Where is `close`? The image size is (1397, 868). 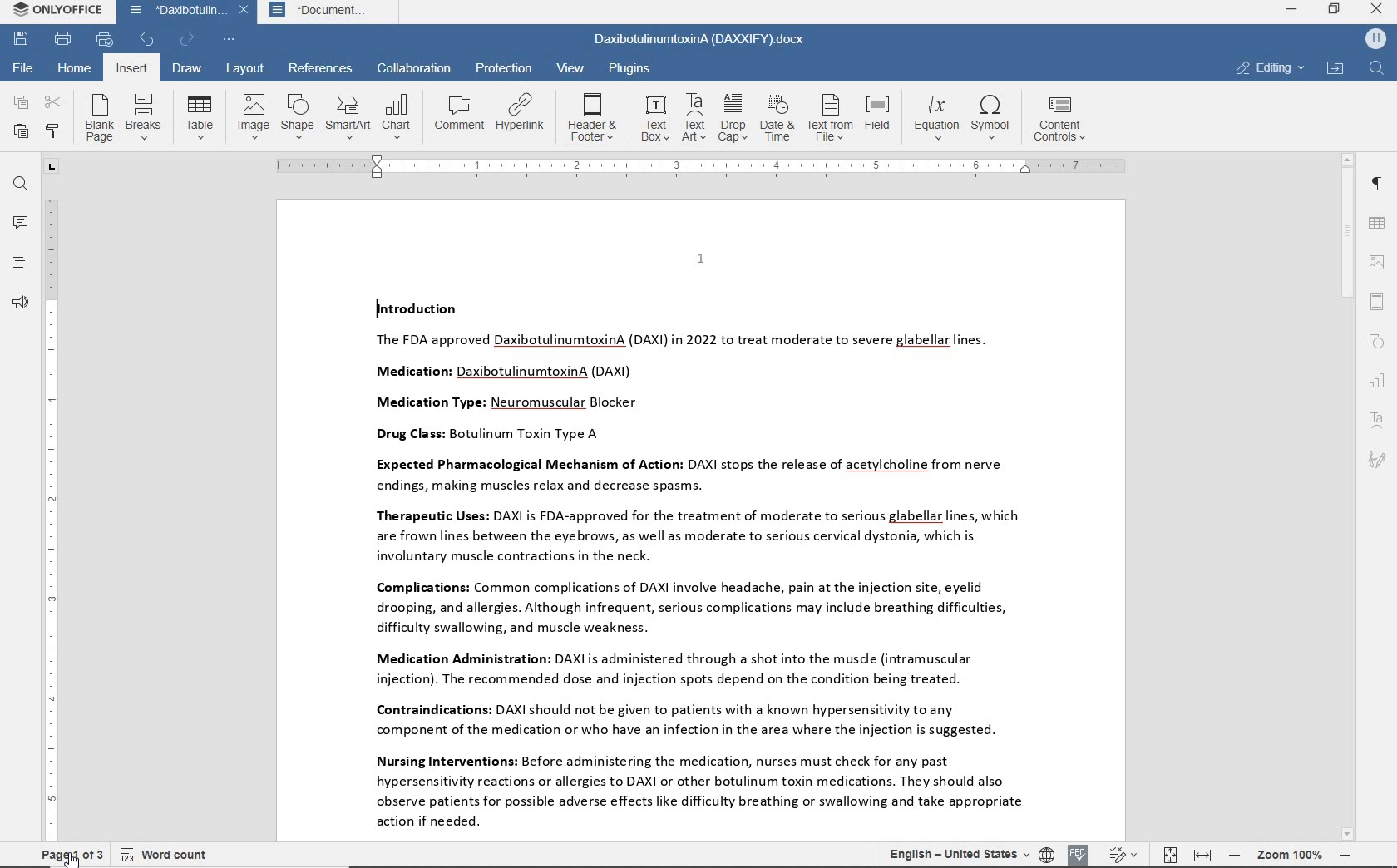 close is located at coordinates (244, 11).